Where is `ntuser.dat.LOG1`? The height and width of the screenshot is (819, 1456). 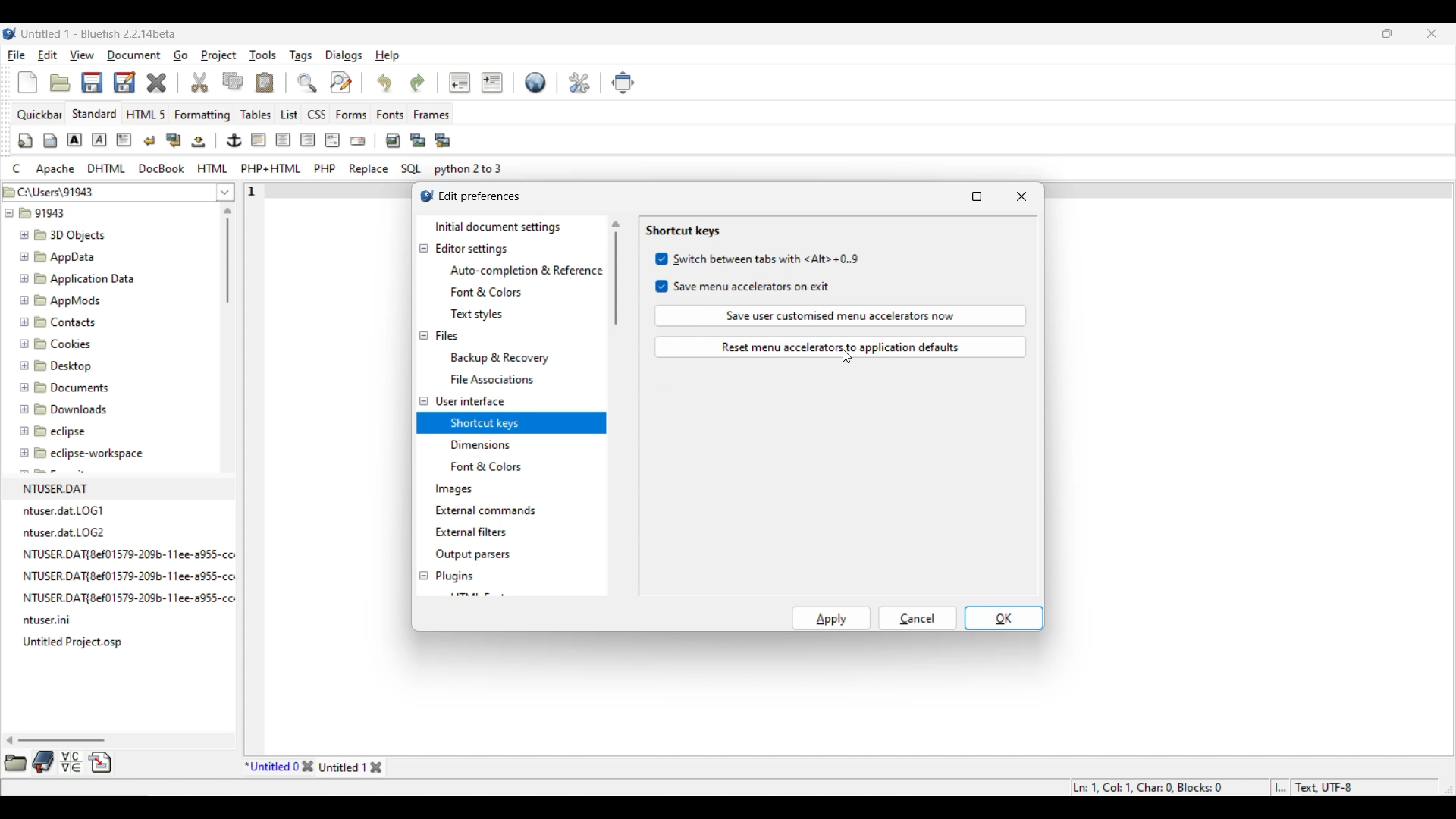
ntuser.dat.LOG1 is located at coordinates (65, 510).